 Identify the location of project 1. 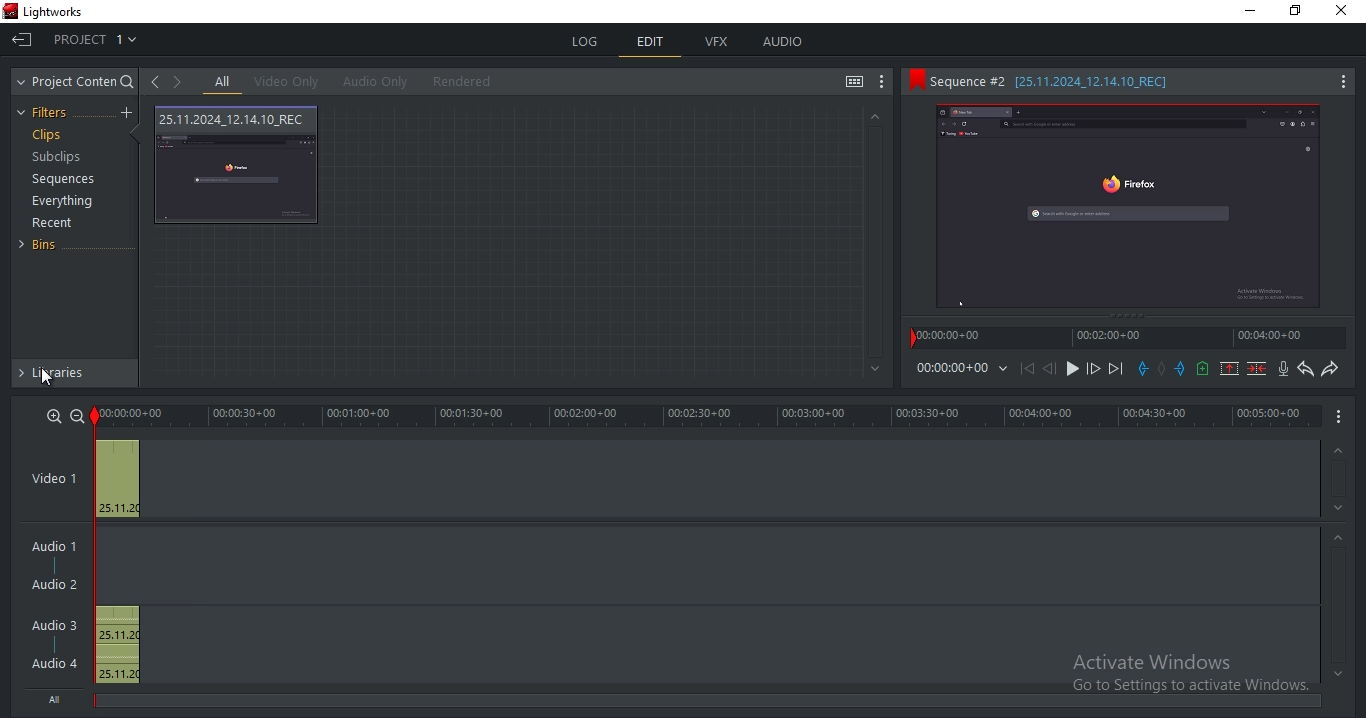
(97, 42).